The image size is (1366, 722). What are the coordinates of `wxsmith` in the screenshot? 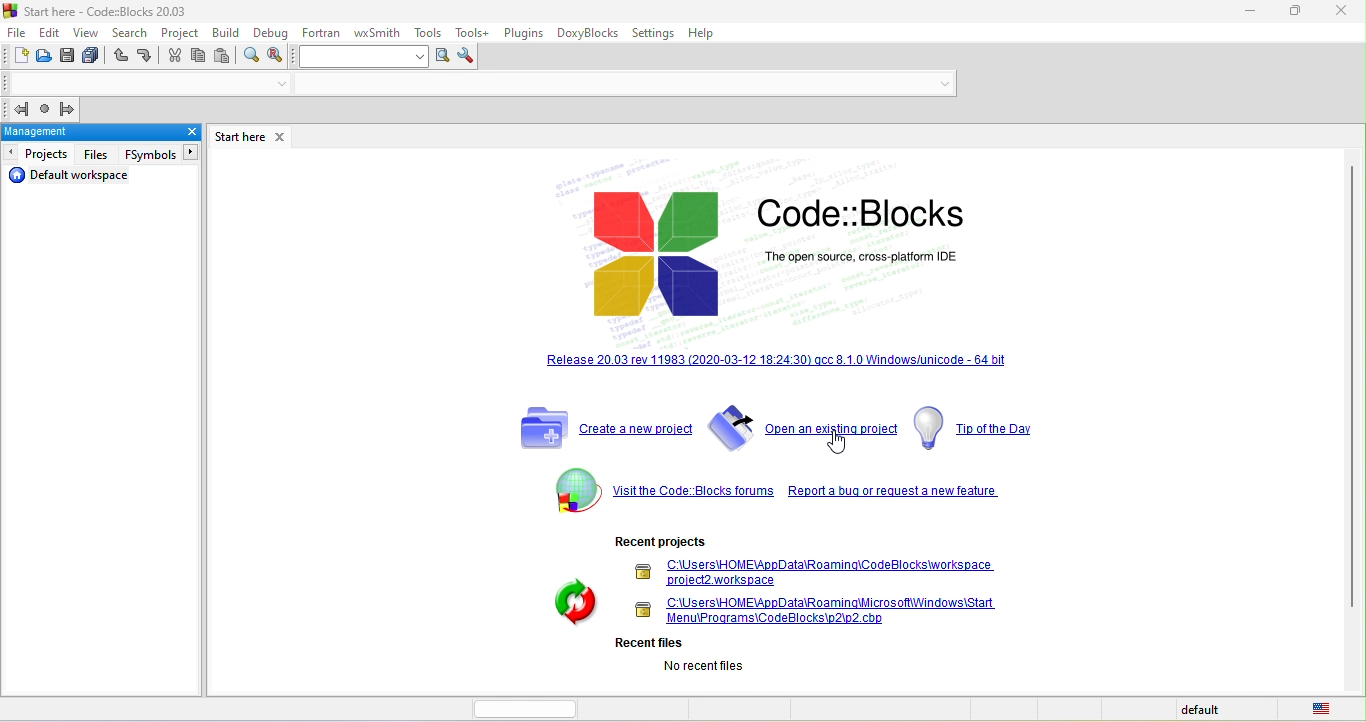 It's located at (375, 34).